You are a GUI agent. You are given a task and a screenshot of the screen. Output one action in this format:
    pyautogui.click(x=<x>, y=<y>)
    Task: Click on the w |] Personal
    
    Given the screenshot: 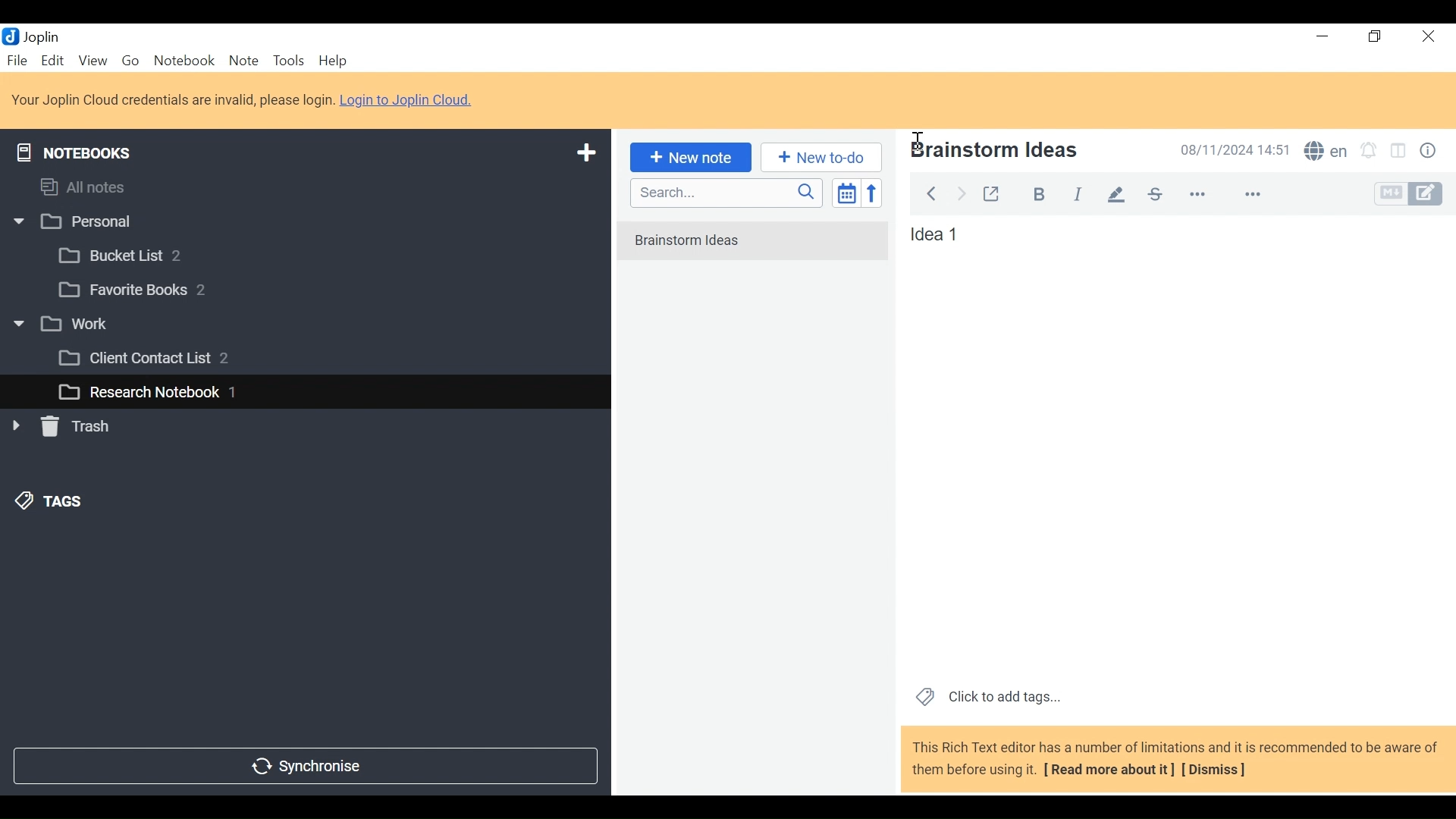 What is the action you would take?
    pyautogui.click(x=81, y=223)
    